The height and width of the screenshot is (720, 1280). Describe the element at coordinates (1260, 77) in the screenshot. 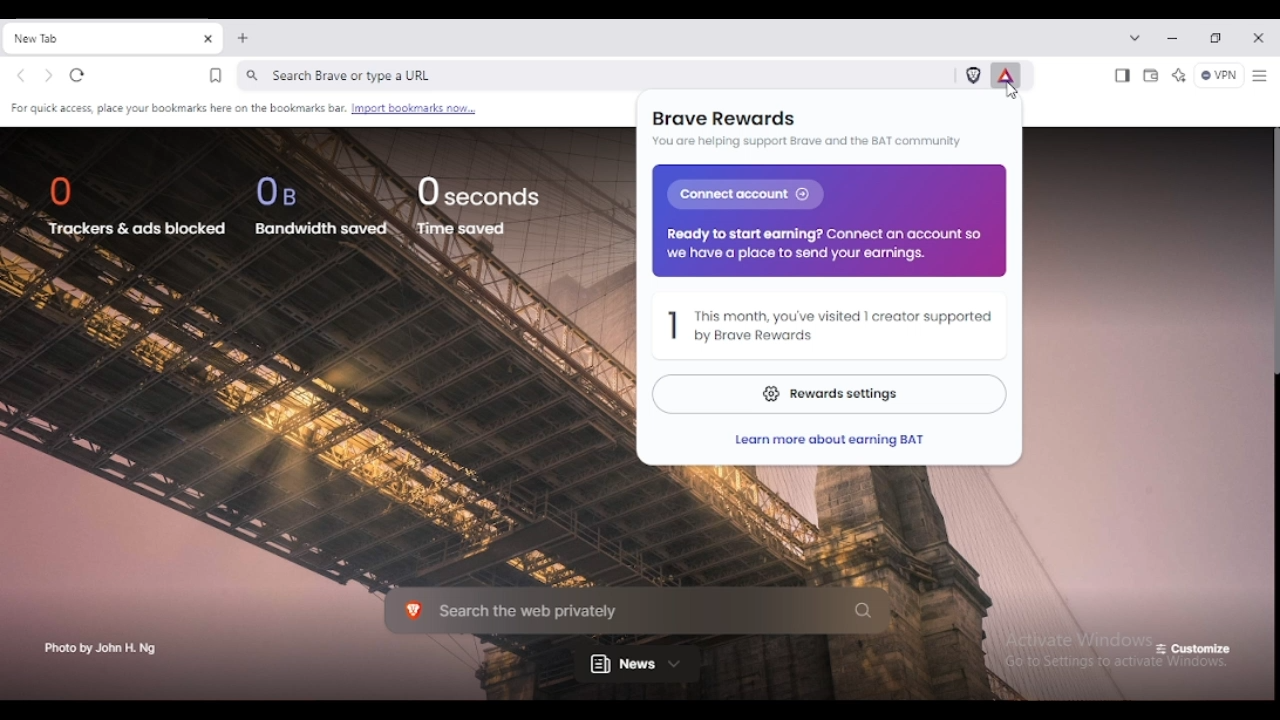

I see `sidebar settings` at that location.